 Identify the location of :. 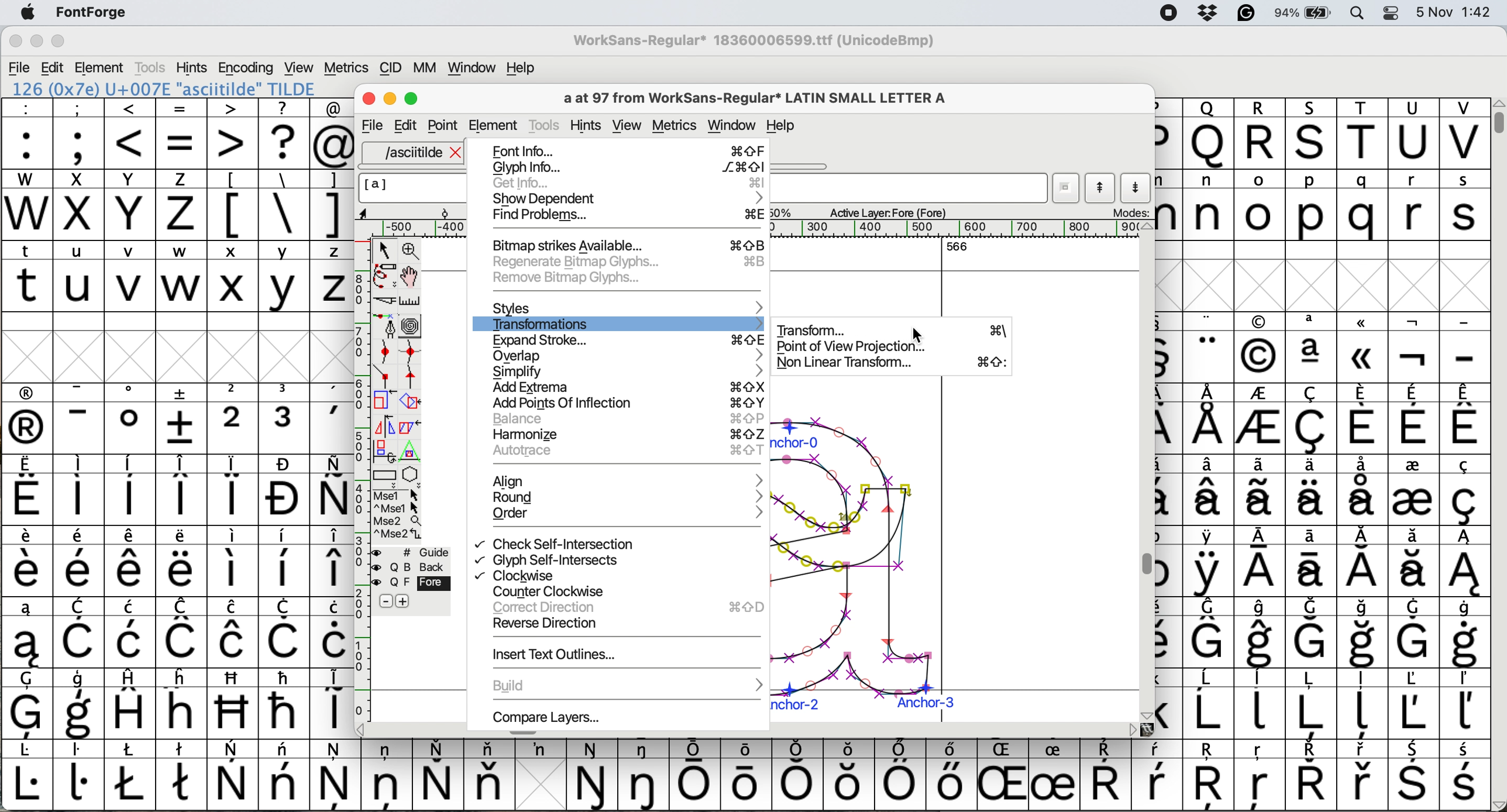
(28, 134).